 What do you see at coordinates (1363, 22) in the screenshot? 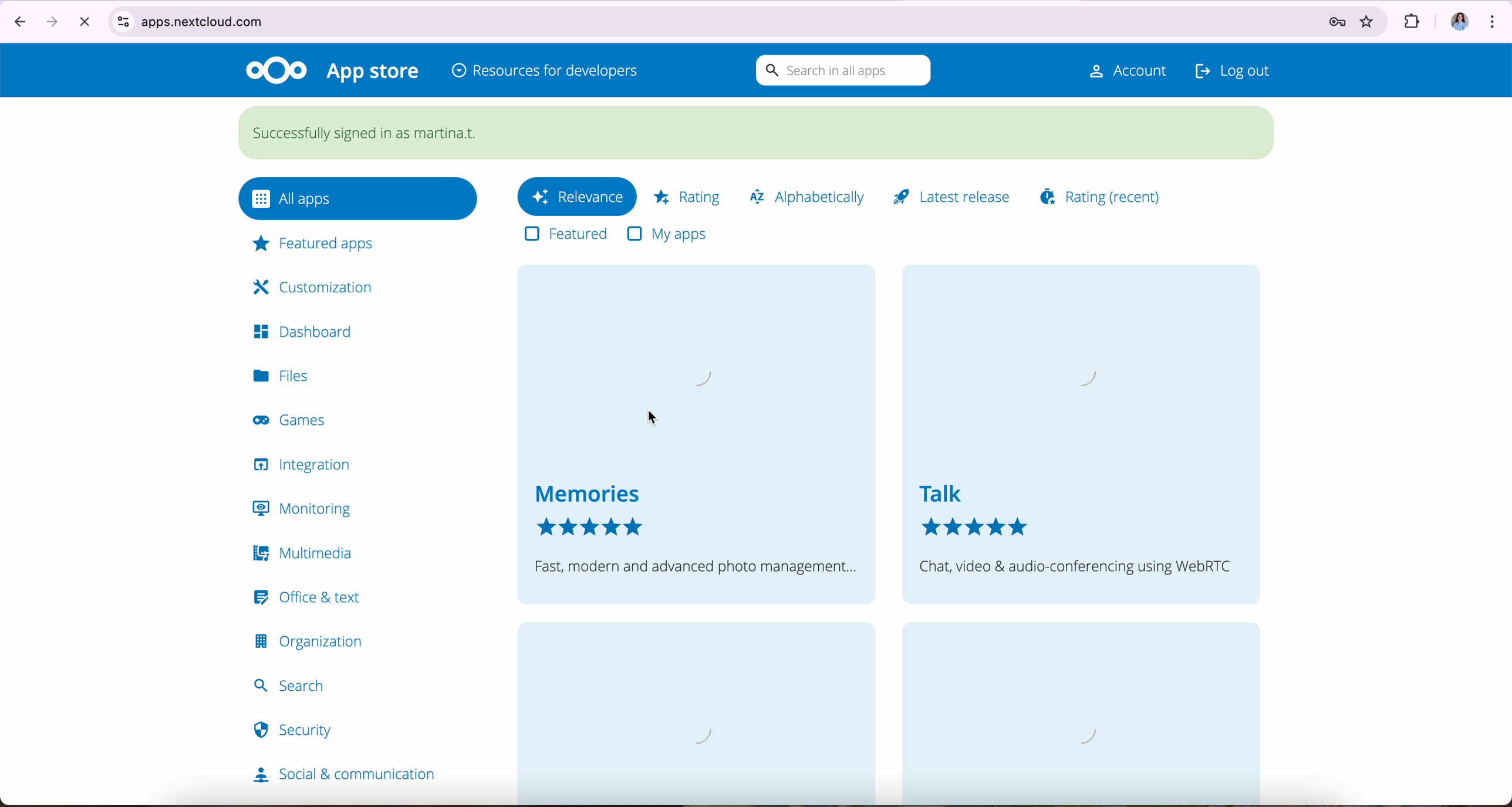
I see `favorites` at bounding box center [1363, 22].